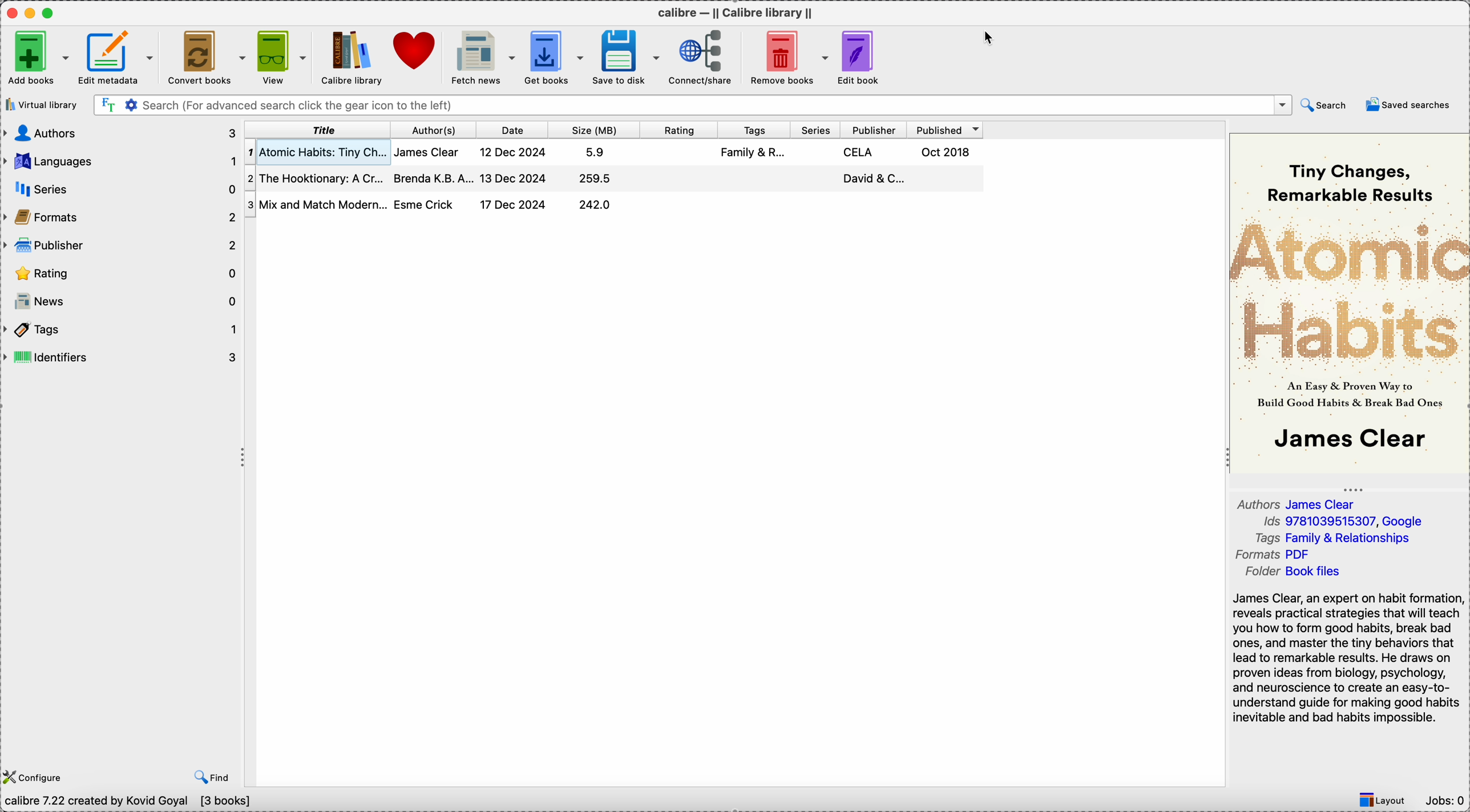 The image size is (1470, 812). I want to click on Author James Clear, so click(1298, 503).